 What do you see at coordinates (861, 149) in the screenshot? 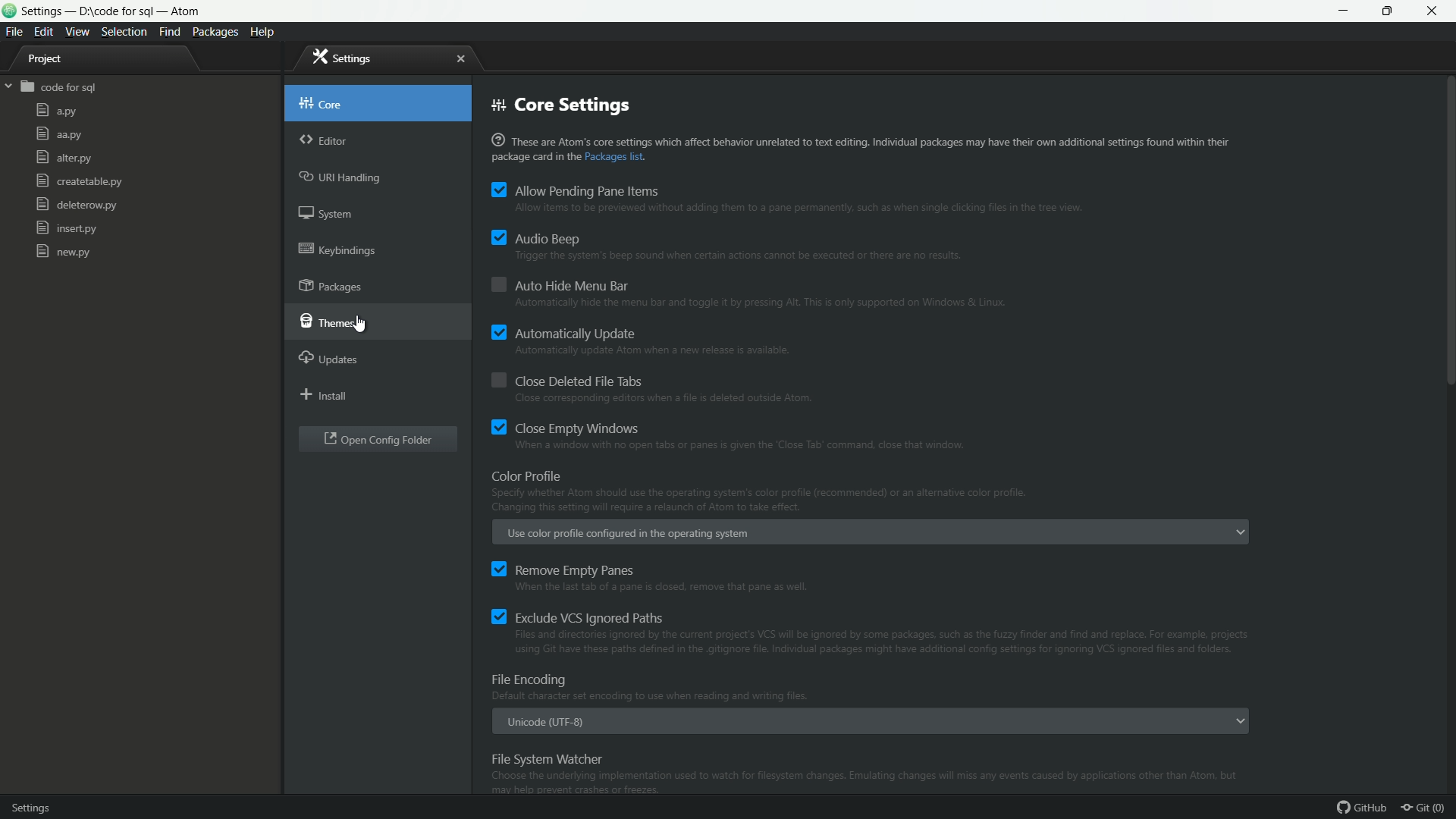
I see `® These are Atom's core settings which affect behavior unrelated to text editing. Individual packages may have their own additional settings found within theirpackage card in the Packages list.` at bounding box center [861, 149].